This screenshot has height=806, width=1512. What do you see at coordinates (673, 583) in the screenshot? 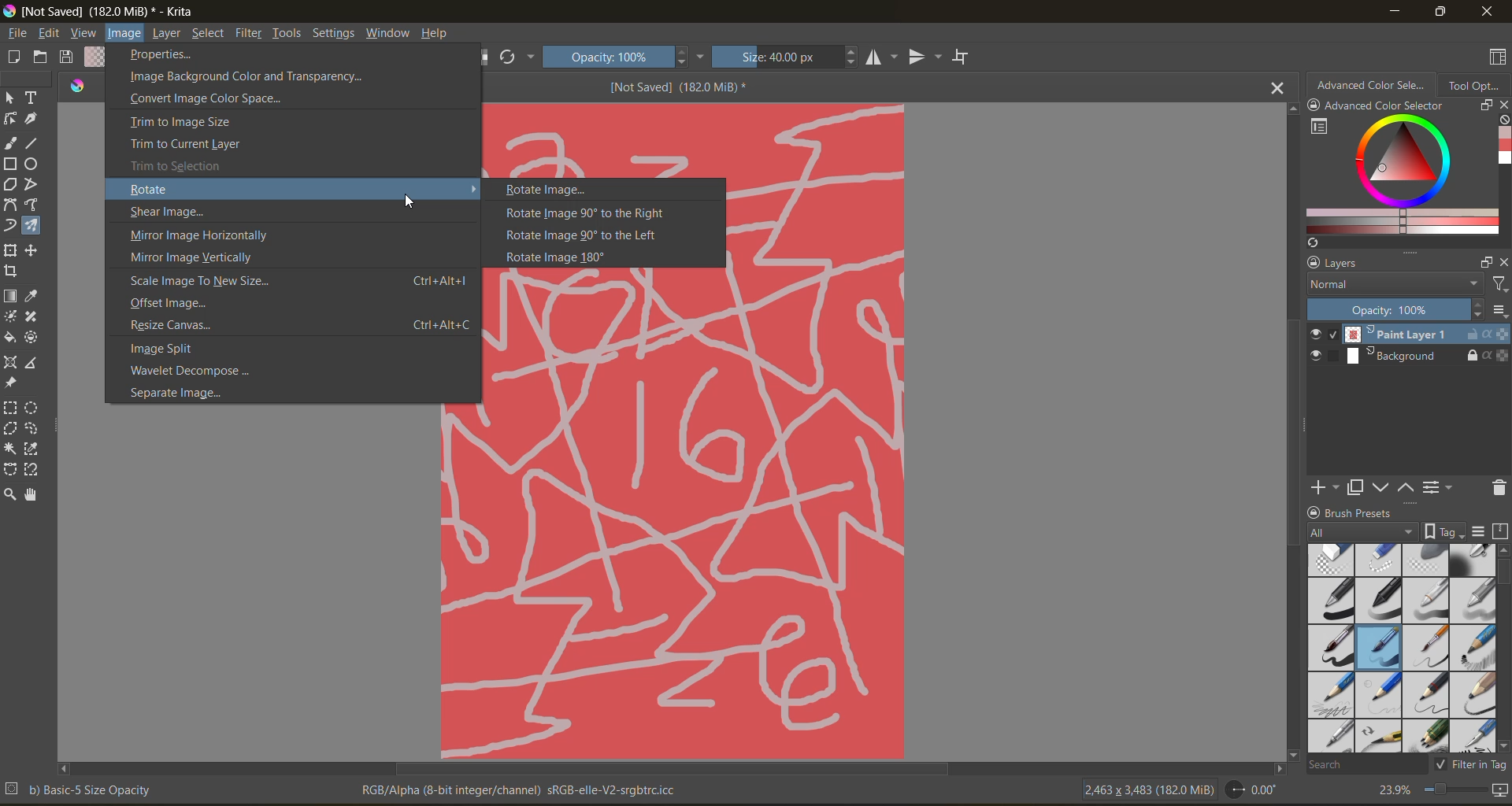
I see `` at bounding box center [673, 583].